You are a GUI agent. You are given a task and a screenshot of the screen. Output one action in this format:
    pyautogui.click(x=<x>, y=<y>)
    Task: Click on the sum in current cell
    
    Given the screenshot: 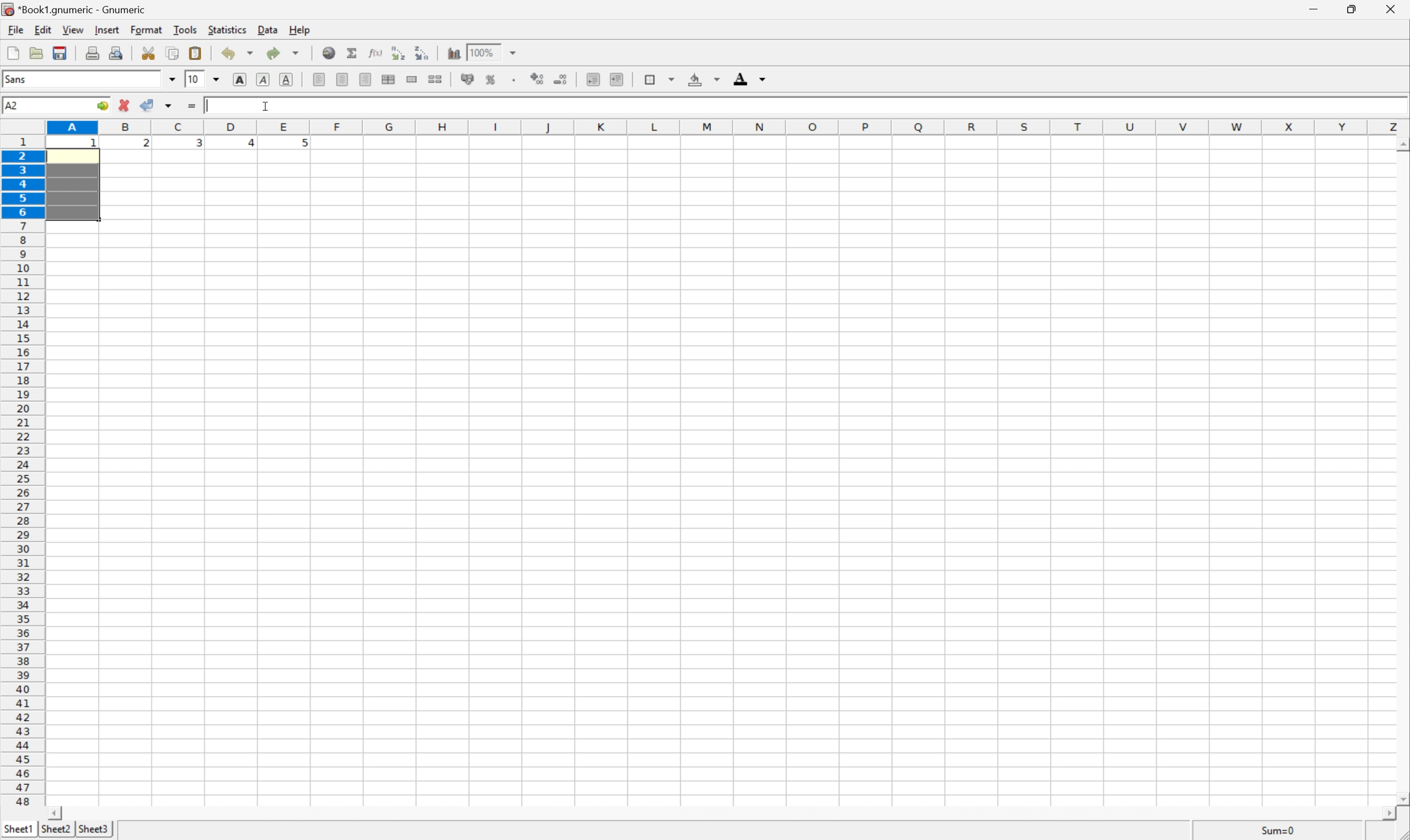 What is the action you would take?
    pyautogui.click(x=354, y=53)
    